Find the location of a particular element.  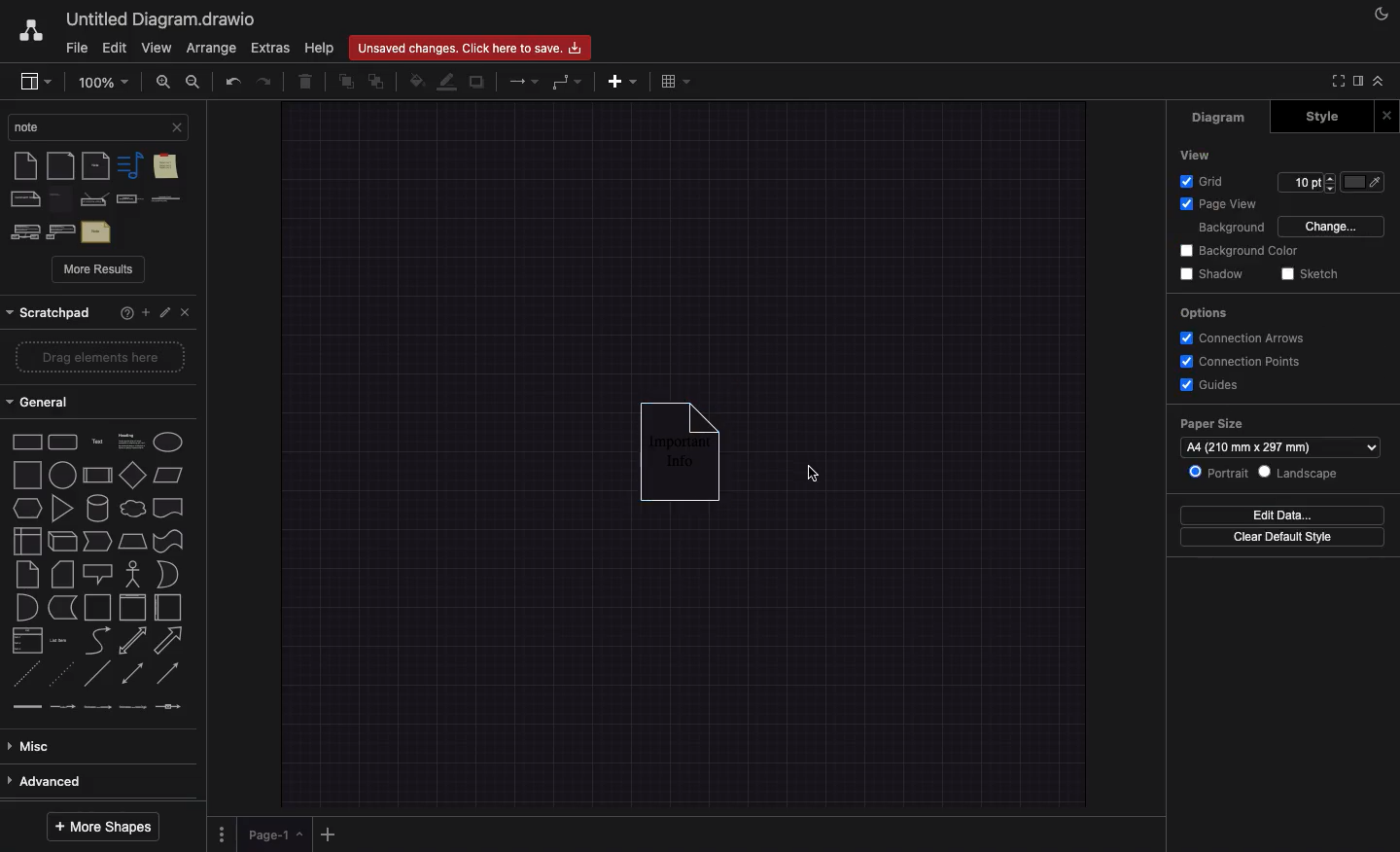

increase grid pt is located at coordinates (1332, 178).